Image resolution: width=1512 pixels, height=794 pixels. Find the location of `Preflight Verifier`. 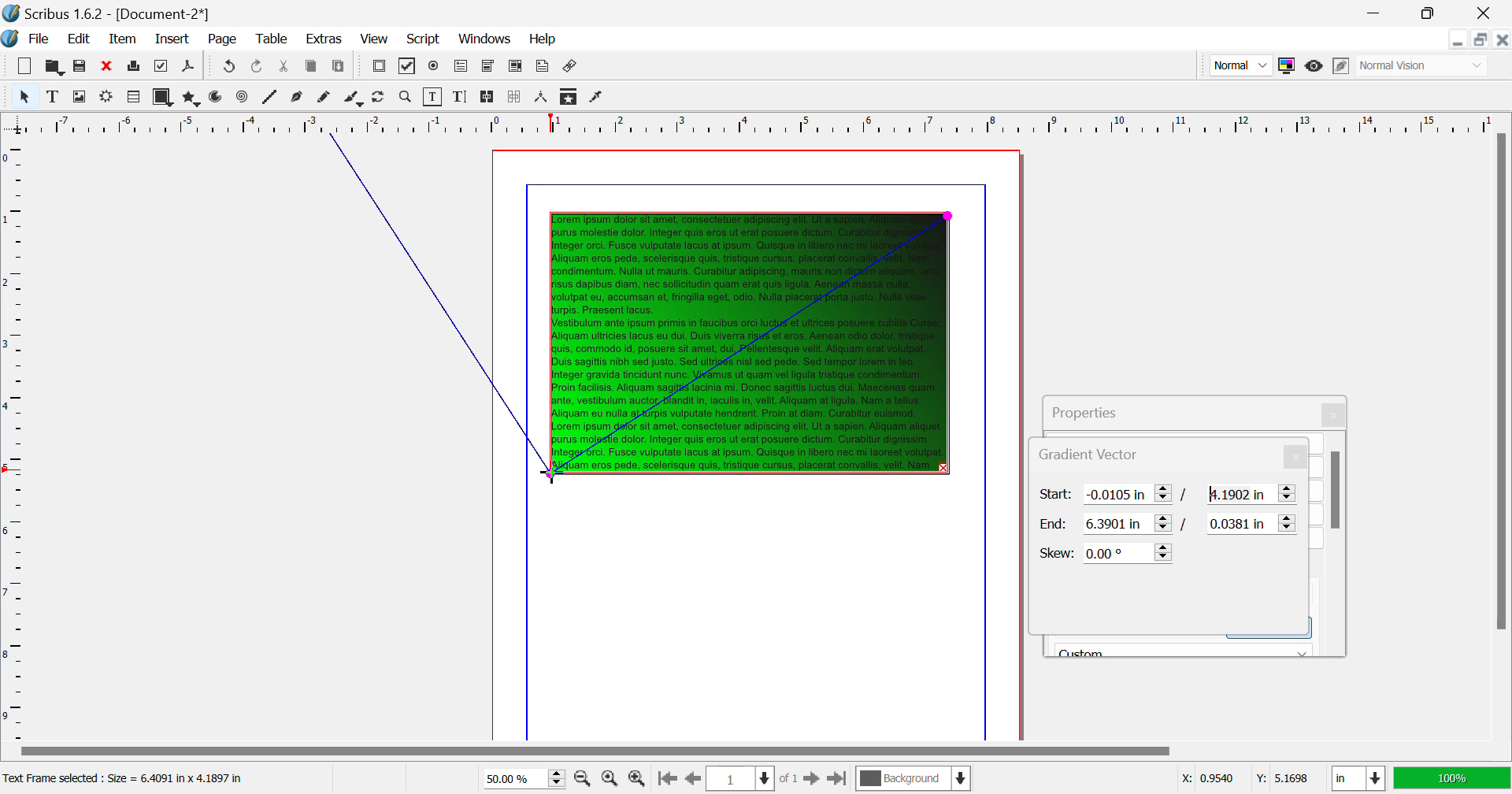

Preflight Verifier is located at coordinates (162, 66).